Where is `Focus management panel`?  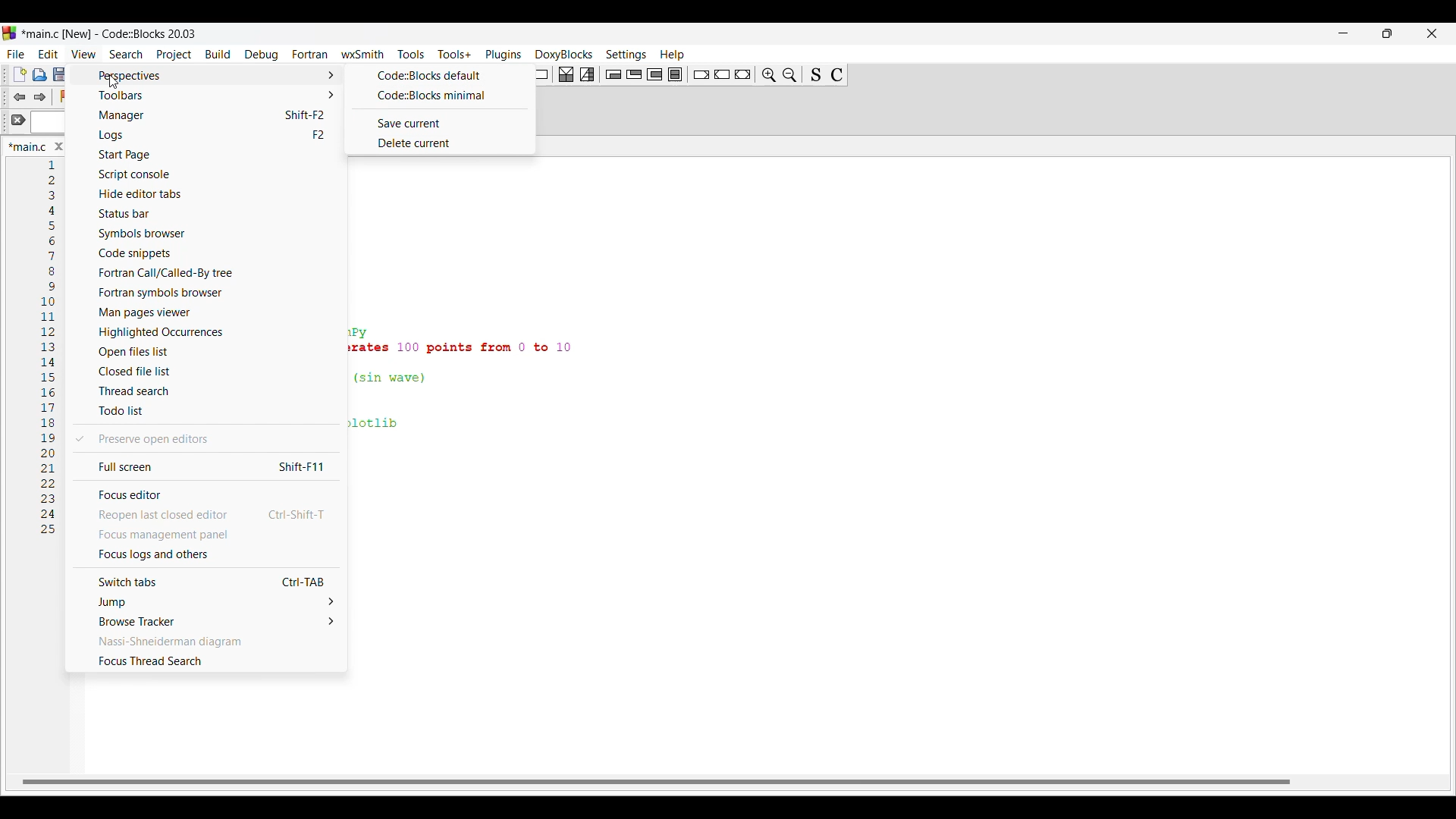 Focus management panel is located at coordinates (206, 534).